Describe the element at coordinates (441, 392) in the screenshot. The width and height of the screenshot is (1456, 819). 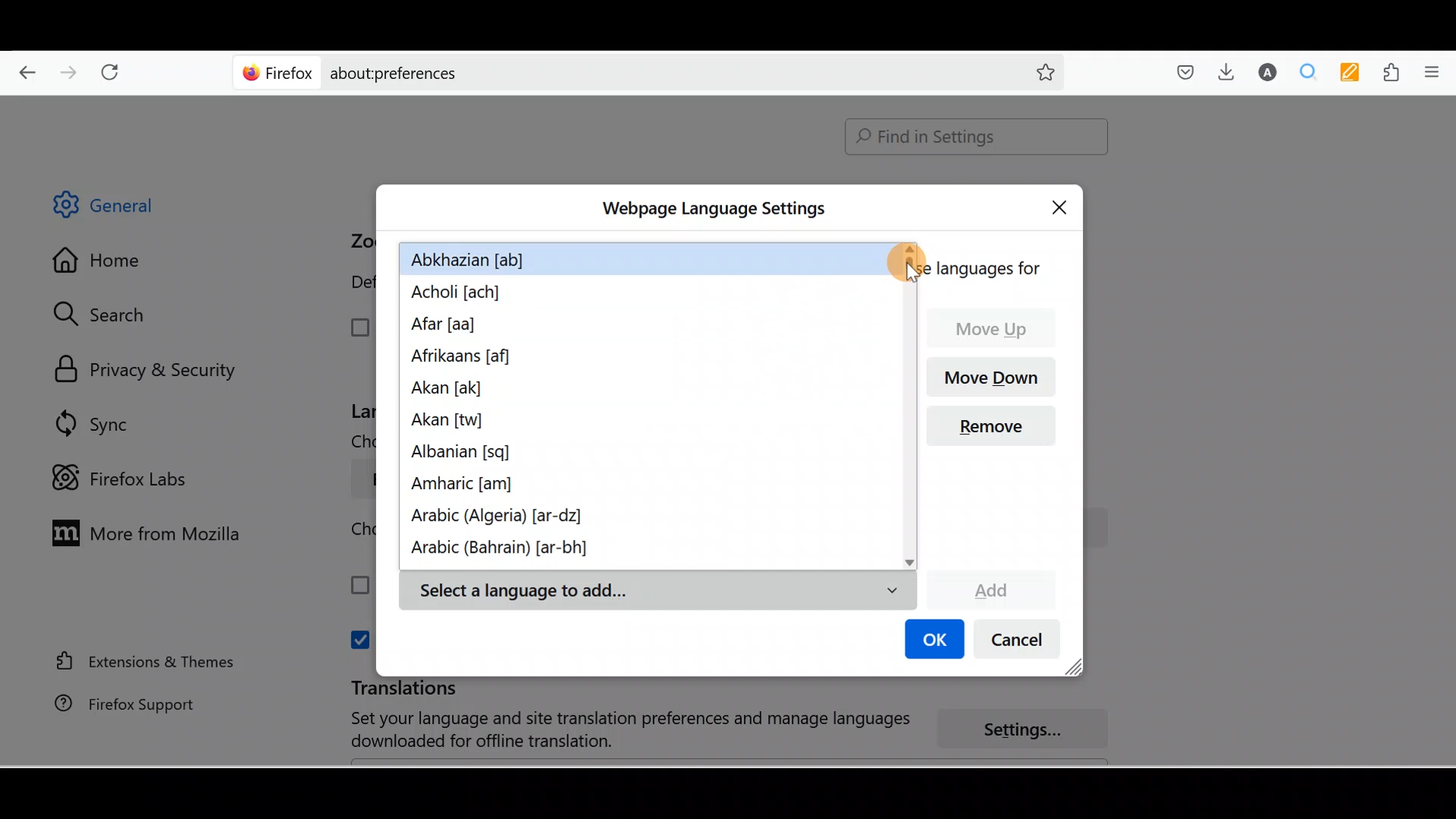
I see `Akan [ak]` at that location.